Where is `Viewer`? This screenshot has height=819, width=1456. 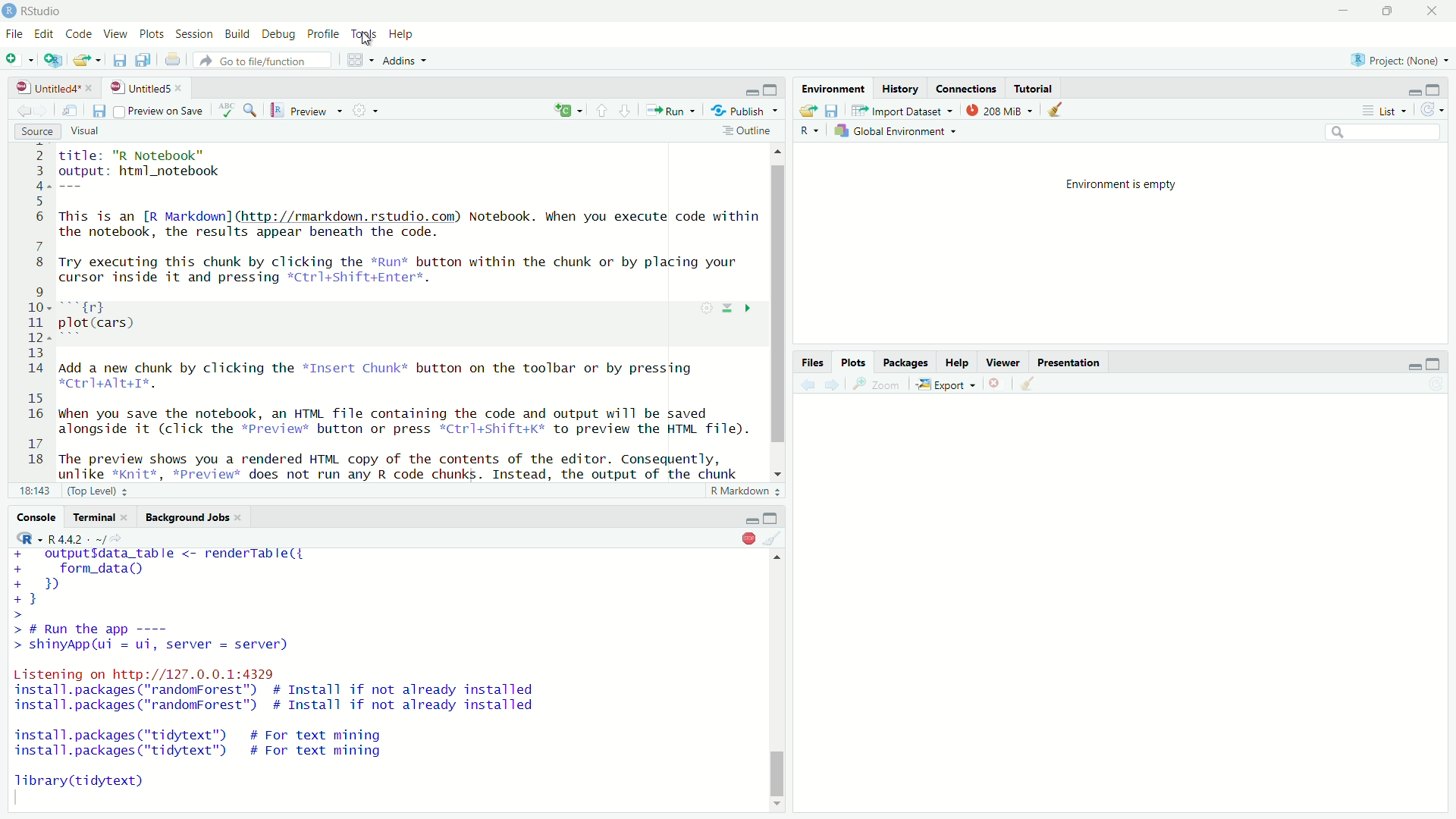 Viewer is located at coordinates (1008, 364).